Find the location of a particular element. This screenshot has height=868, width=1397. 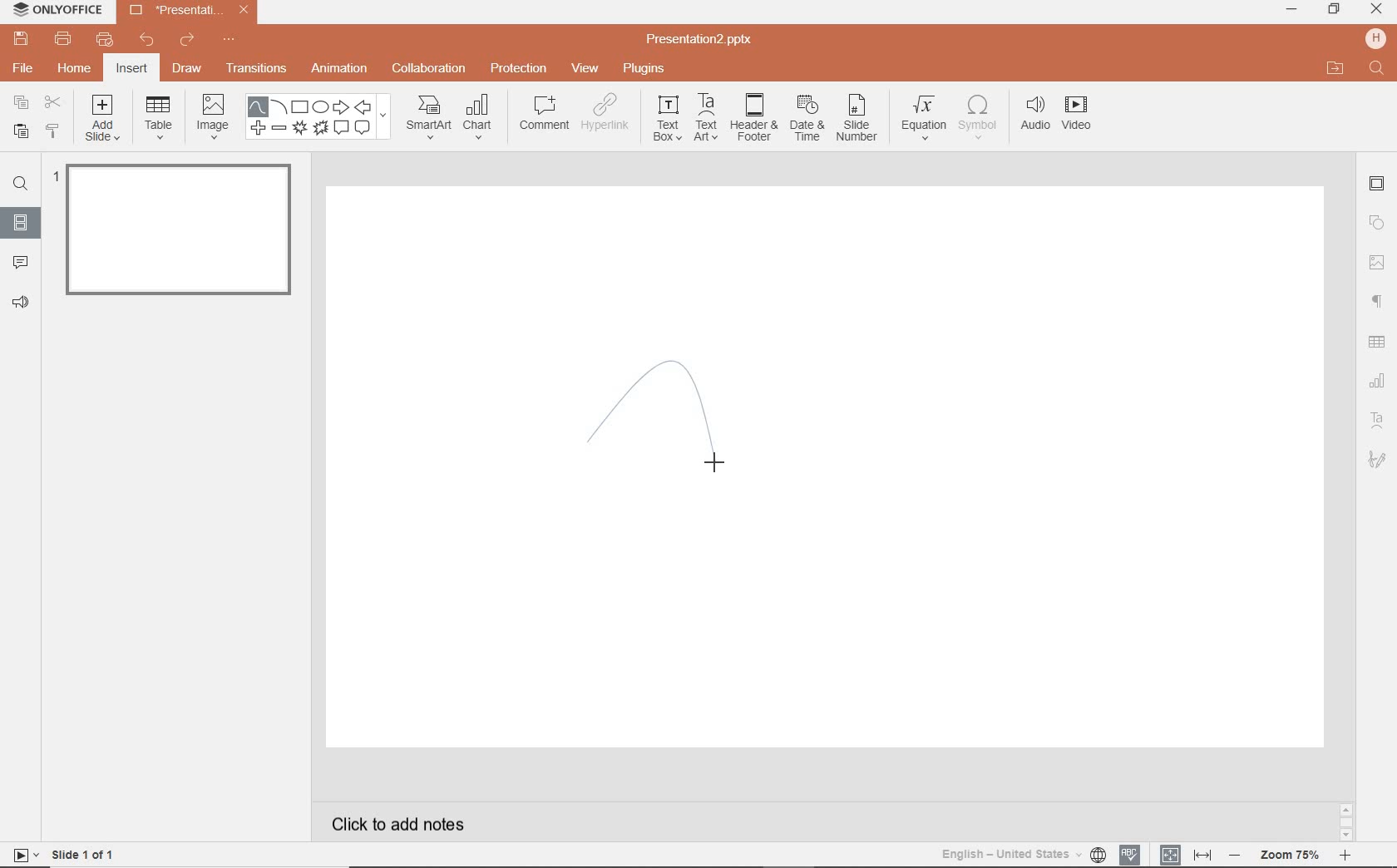

QUICK PRINT is located at coordinates (103, 40).